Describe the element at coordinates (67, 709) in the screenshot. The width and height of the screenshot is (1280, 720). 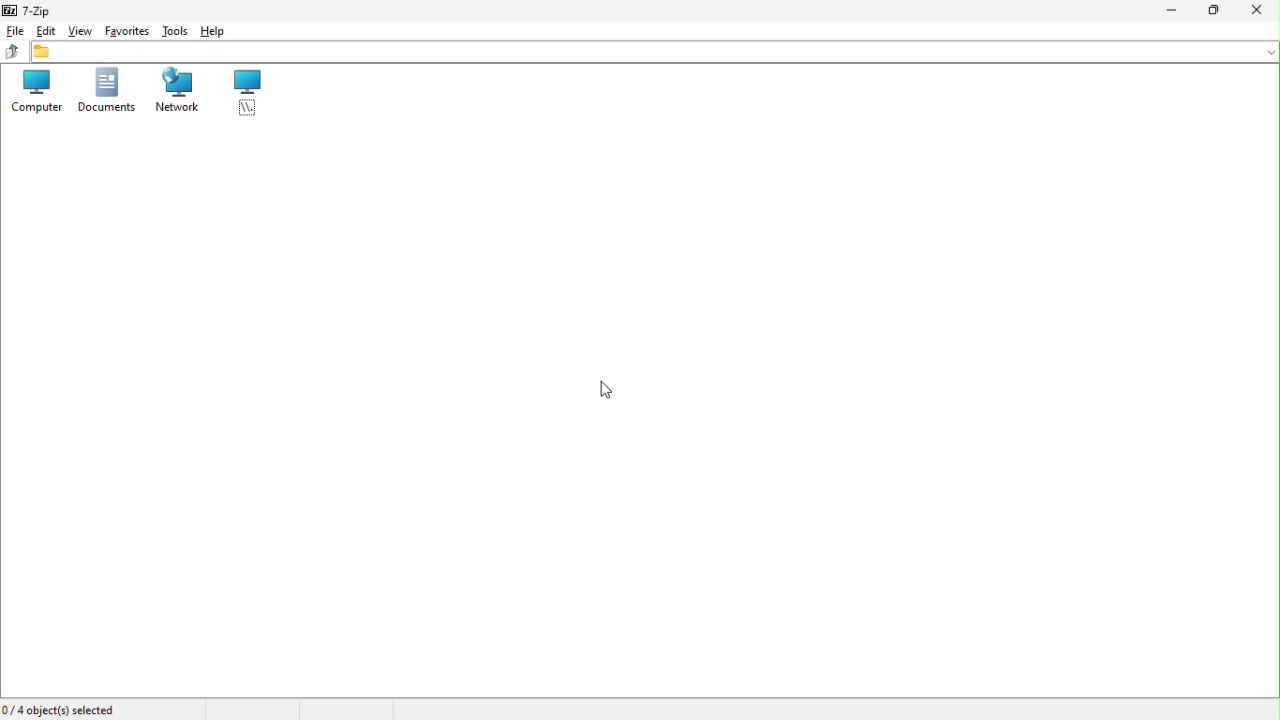
I see `4 object selected` at that location.